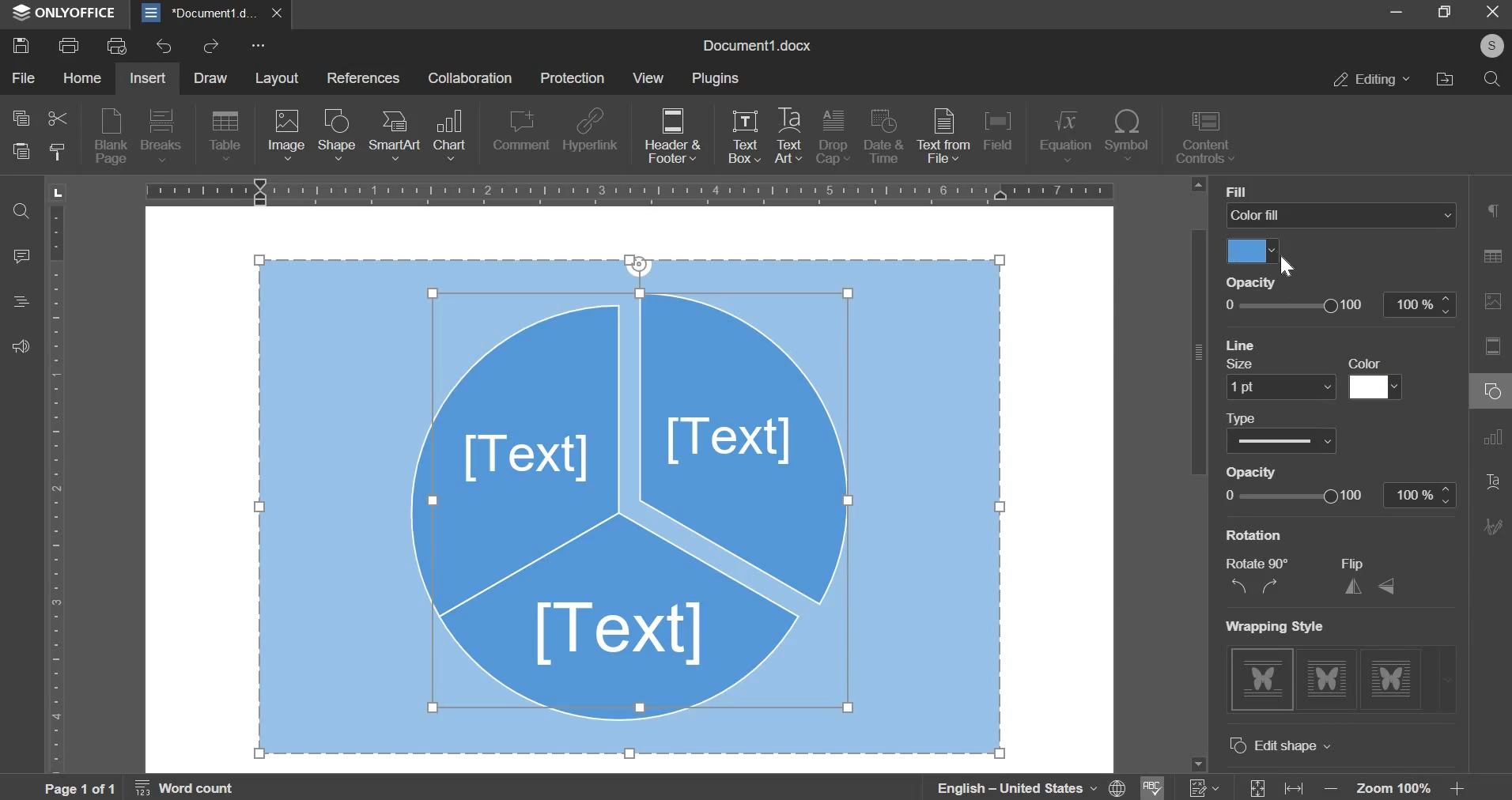 The image size is (1512, 800). What do you see at coordinates (1262, 563) in the screenshot?
I see `` at bounding box center [1262, 563].